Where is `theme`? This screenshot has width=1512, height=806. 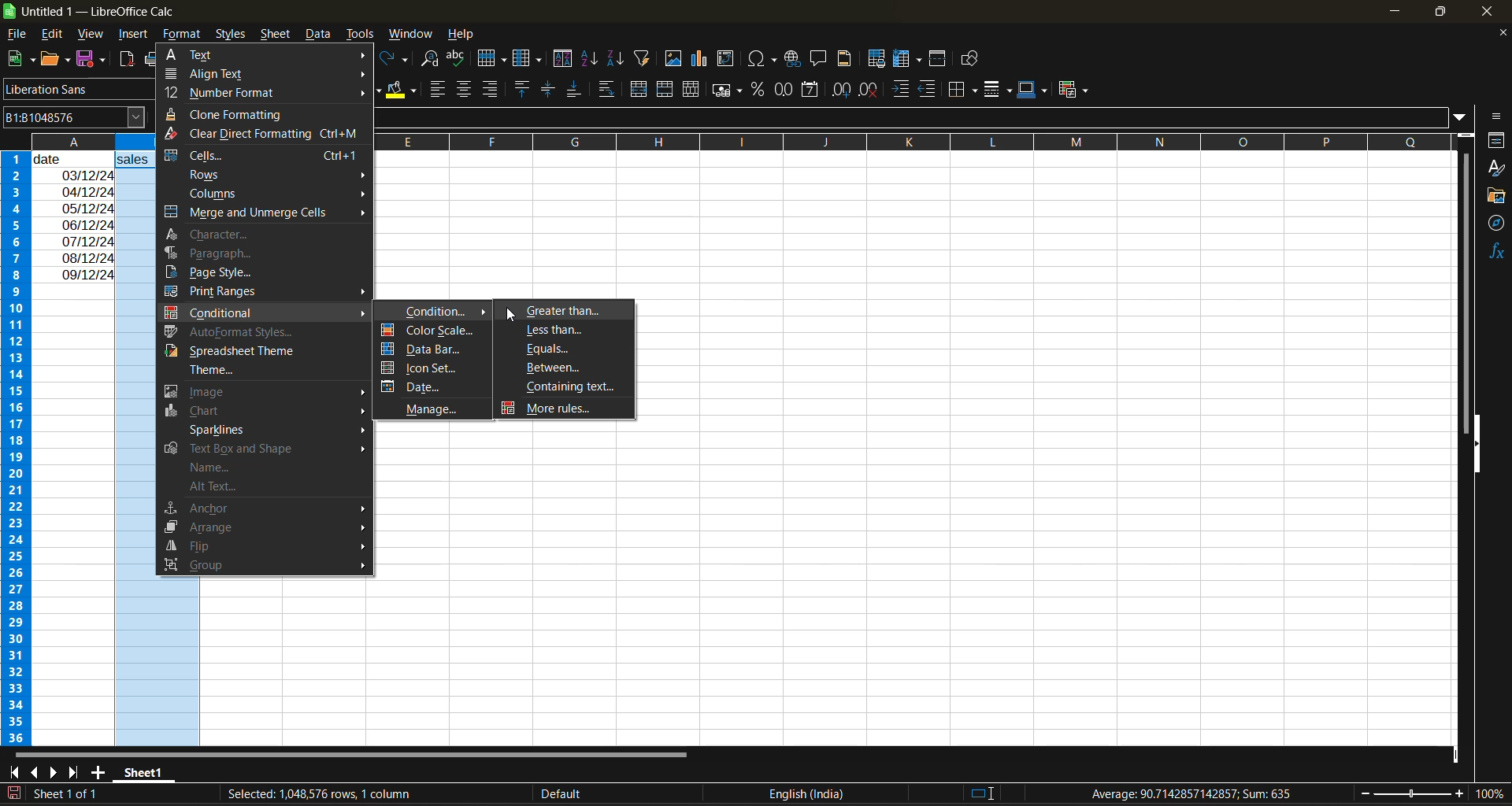 theme is located at coordinates (252, 371).